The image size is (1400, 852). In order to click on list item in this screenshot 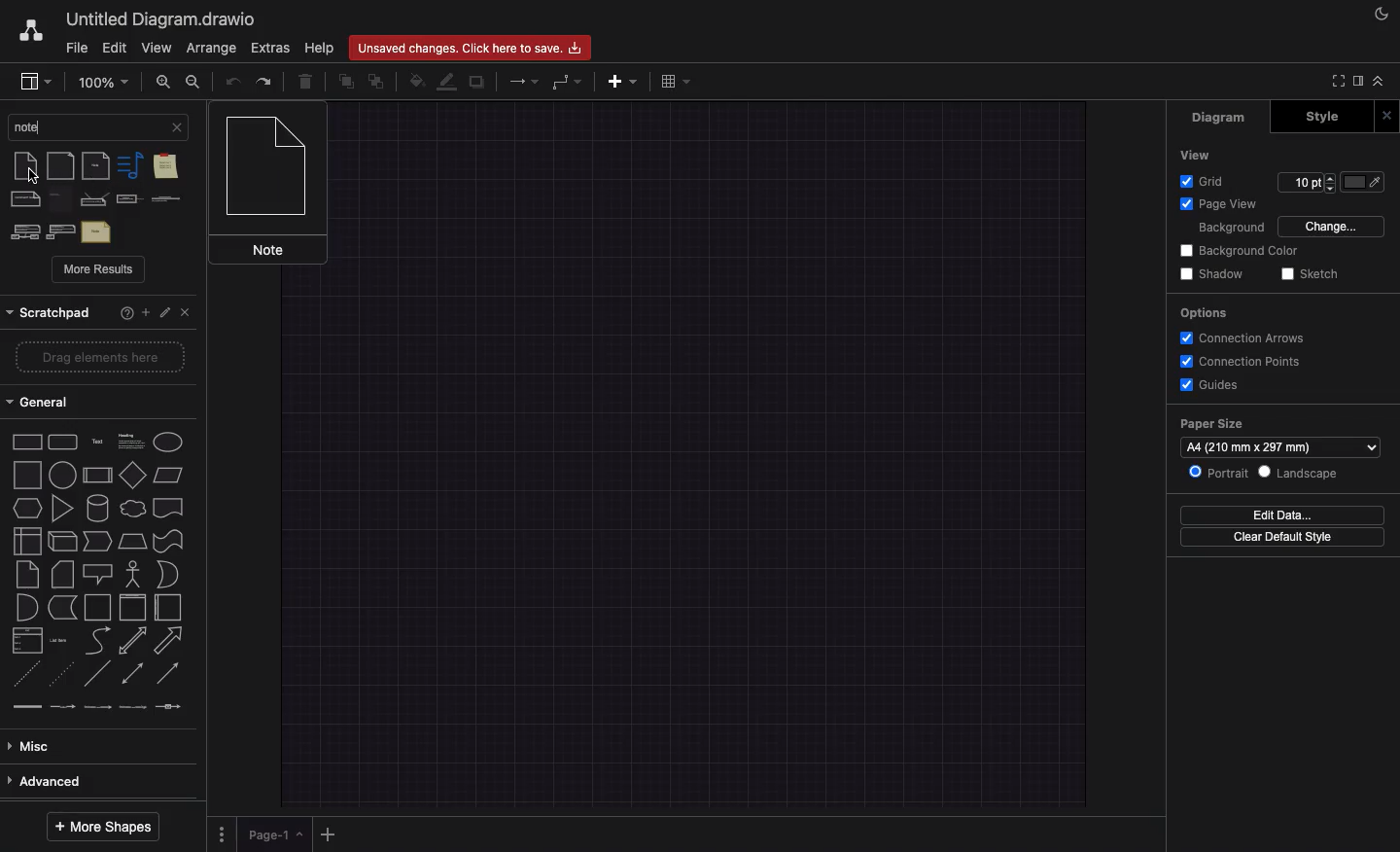, I will do `click(60, 642)`.